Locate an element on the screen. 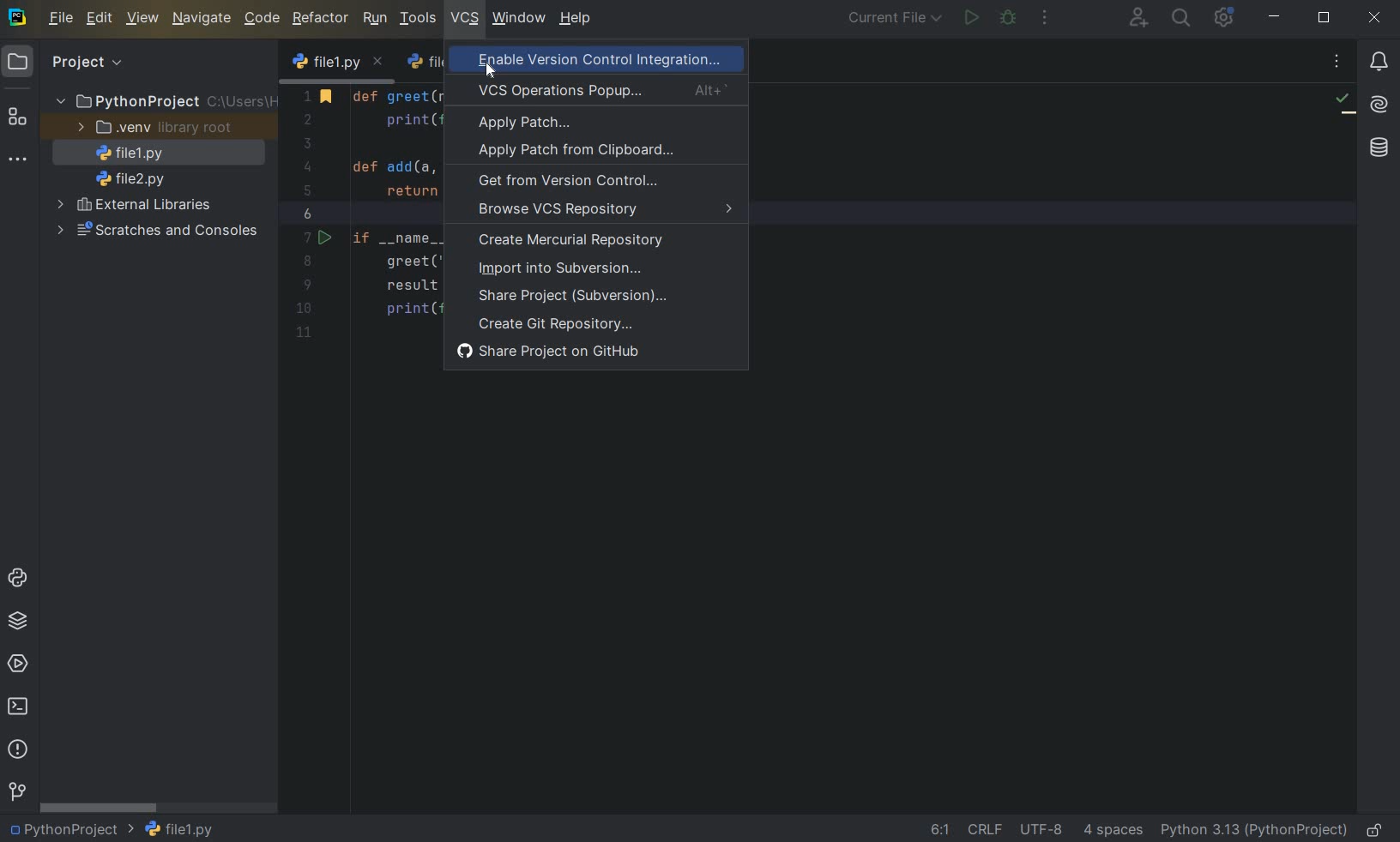  window is located at coordinates (517, 18).